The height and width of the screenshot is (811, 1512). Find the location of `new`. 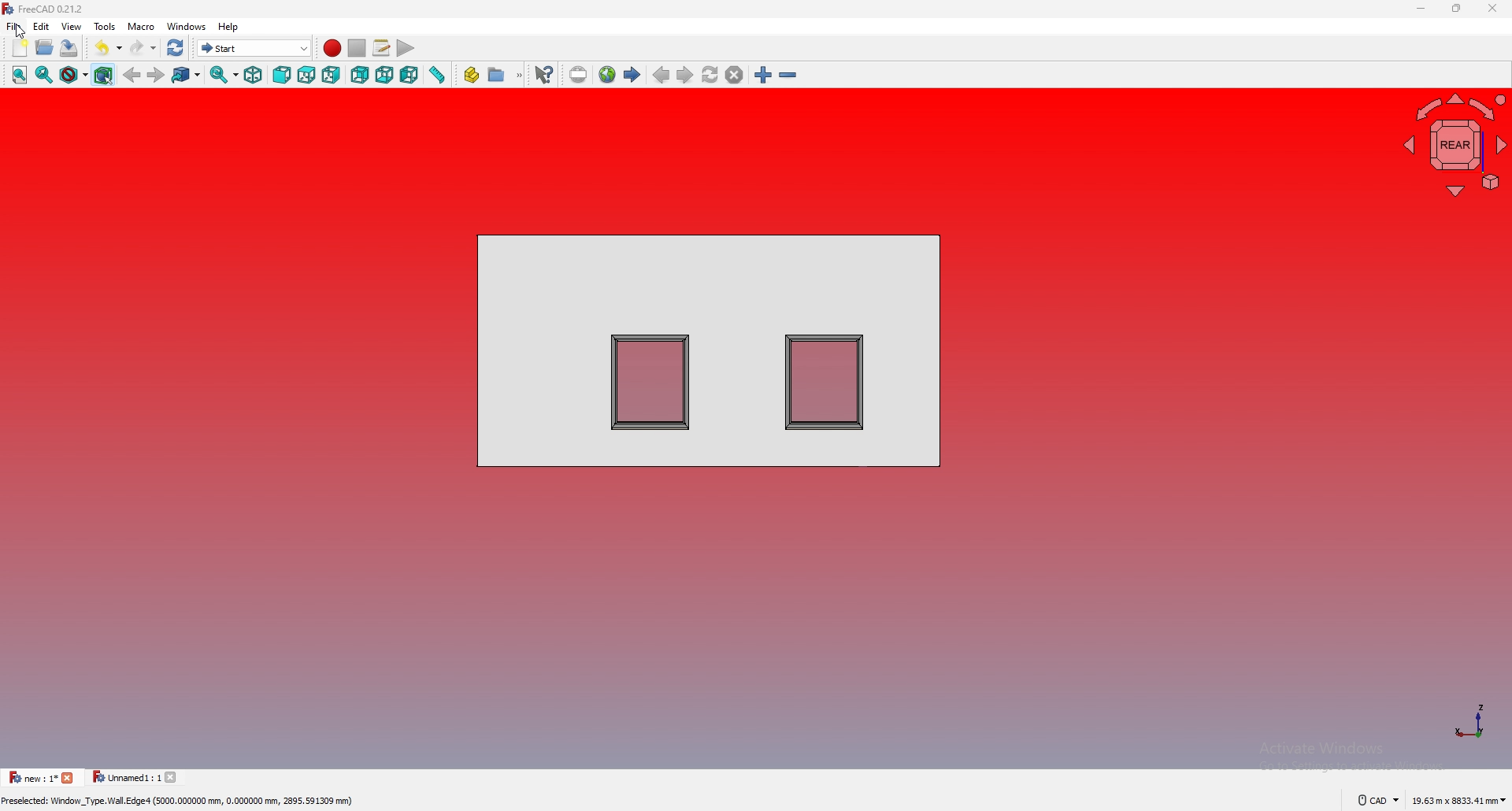

new is located at coordinates (18, 47).